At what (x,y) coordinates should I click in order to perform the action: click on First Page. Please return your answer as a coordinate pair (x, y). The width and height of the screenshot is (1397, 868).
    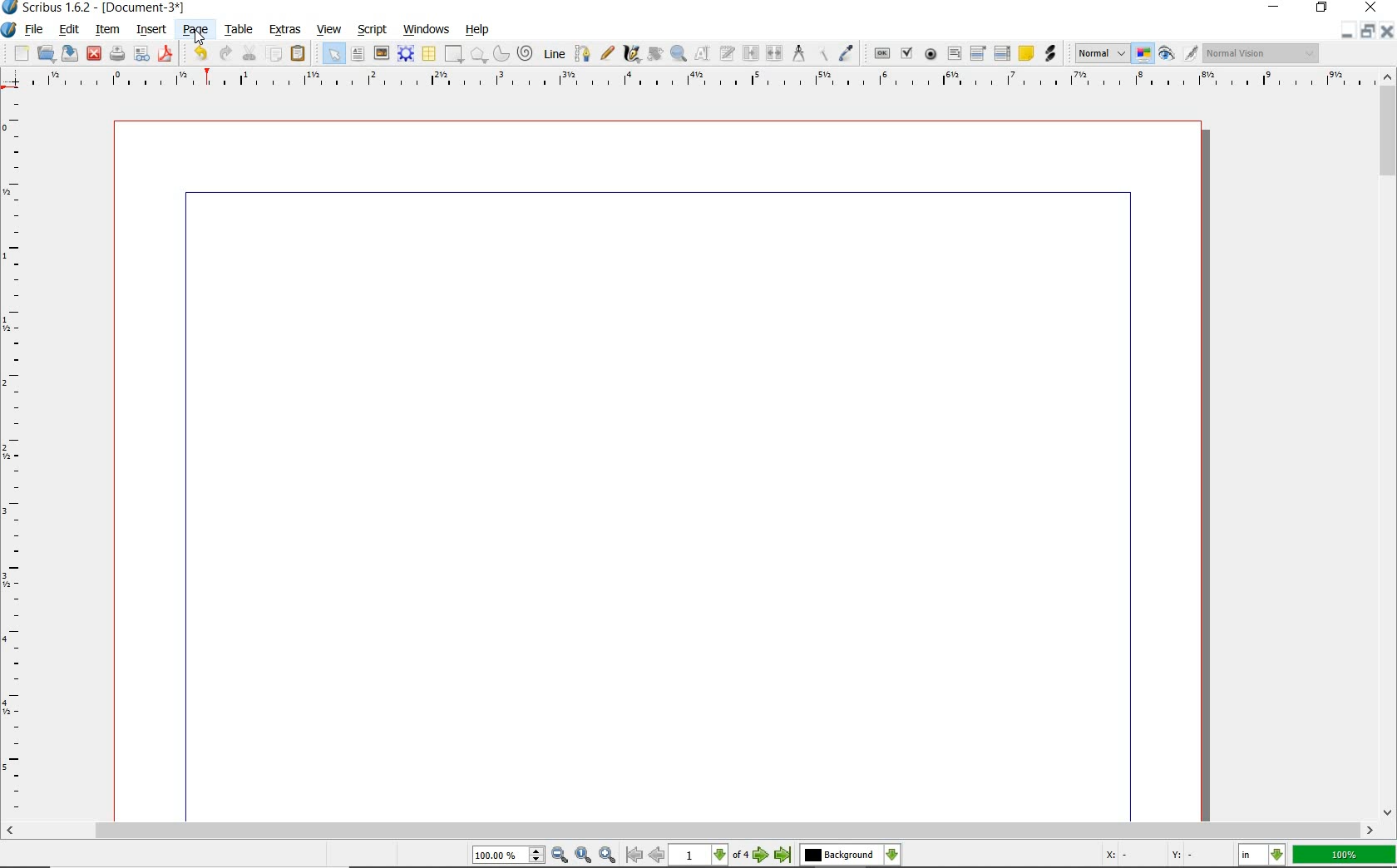
    Looking at the image, I should click on (632, 856).